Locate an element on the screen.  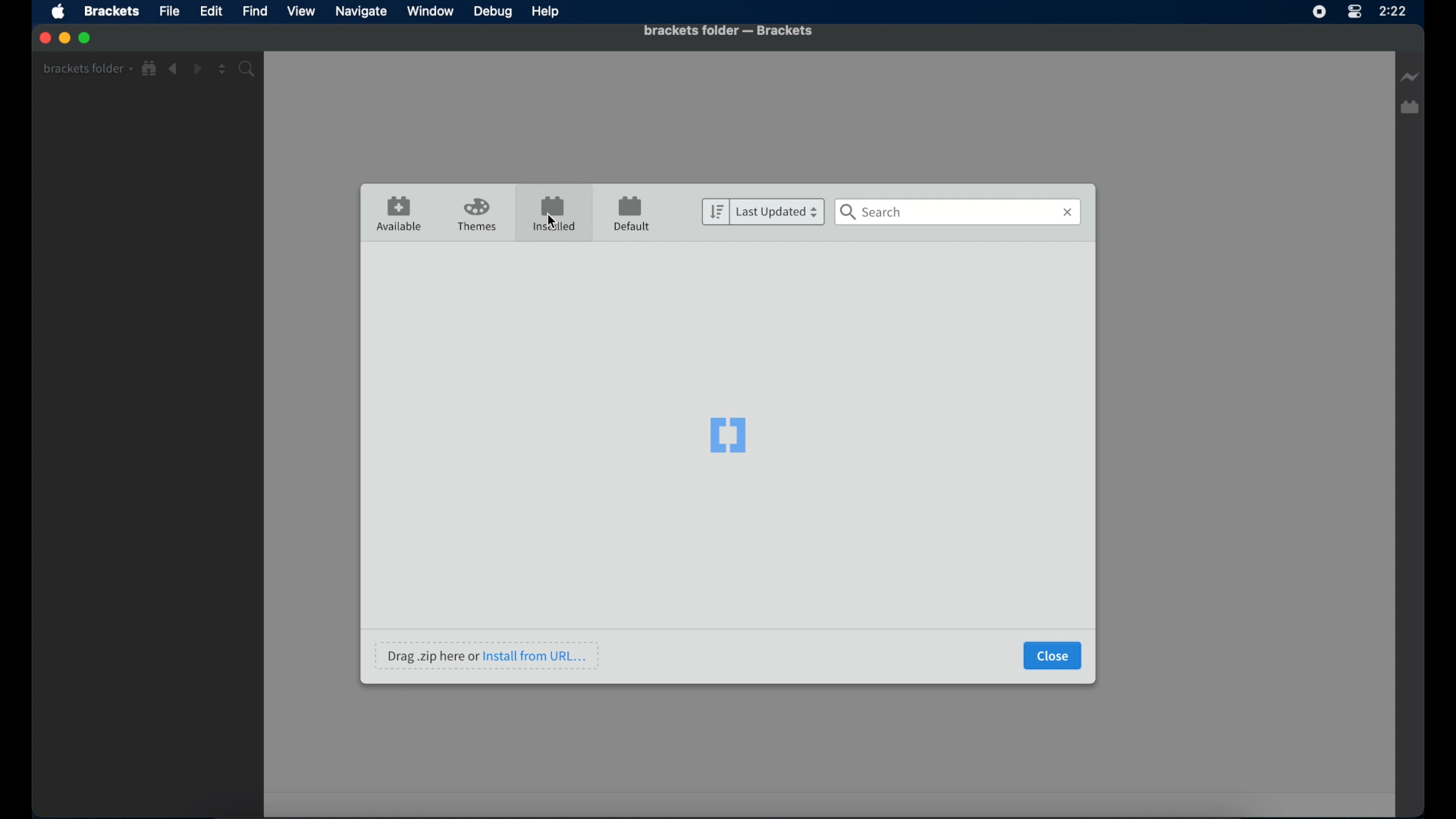
file is located at coordinates (170, 11).